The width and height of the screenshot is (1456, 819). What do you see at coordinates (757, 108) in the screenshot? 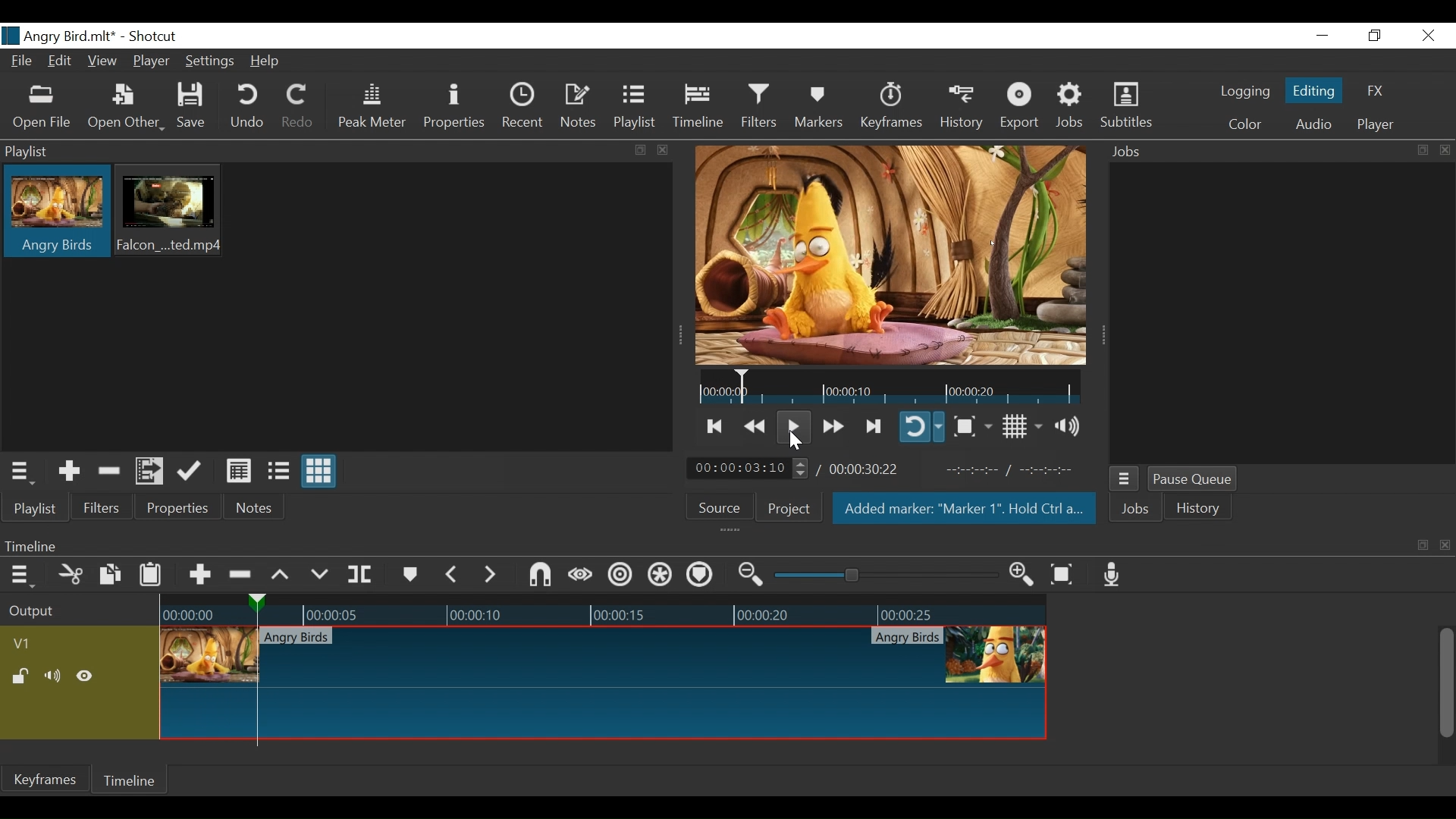
I see `Filters` at bounding box center [757, 108].